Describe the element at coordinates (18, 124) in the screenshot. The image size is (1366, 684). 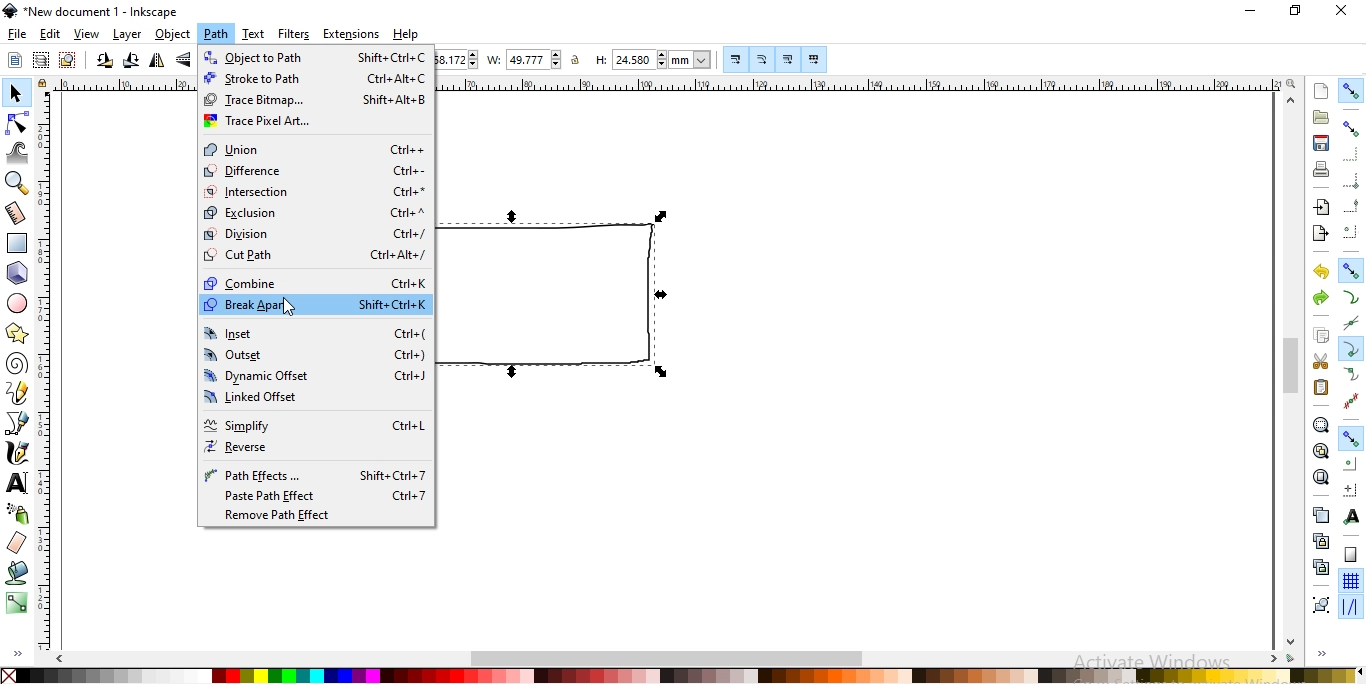
I see `edit paths by nodes` at that location.